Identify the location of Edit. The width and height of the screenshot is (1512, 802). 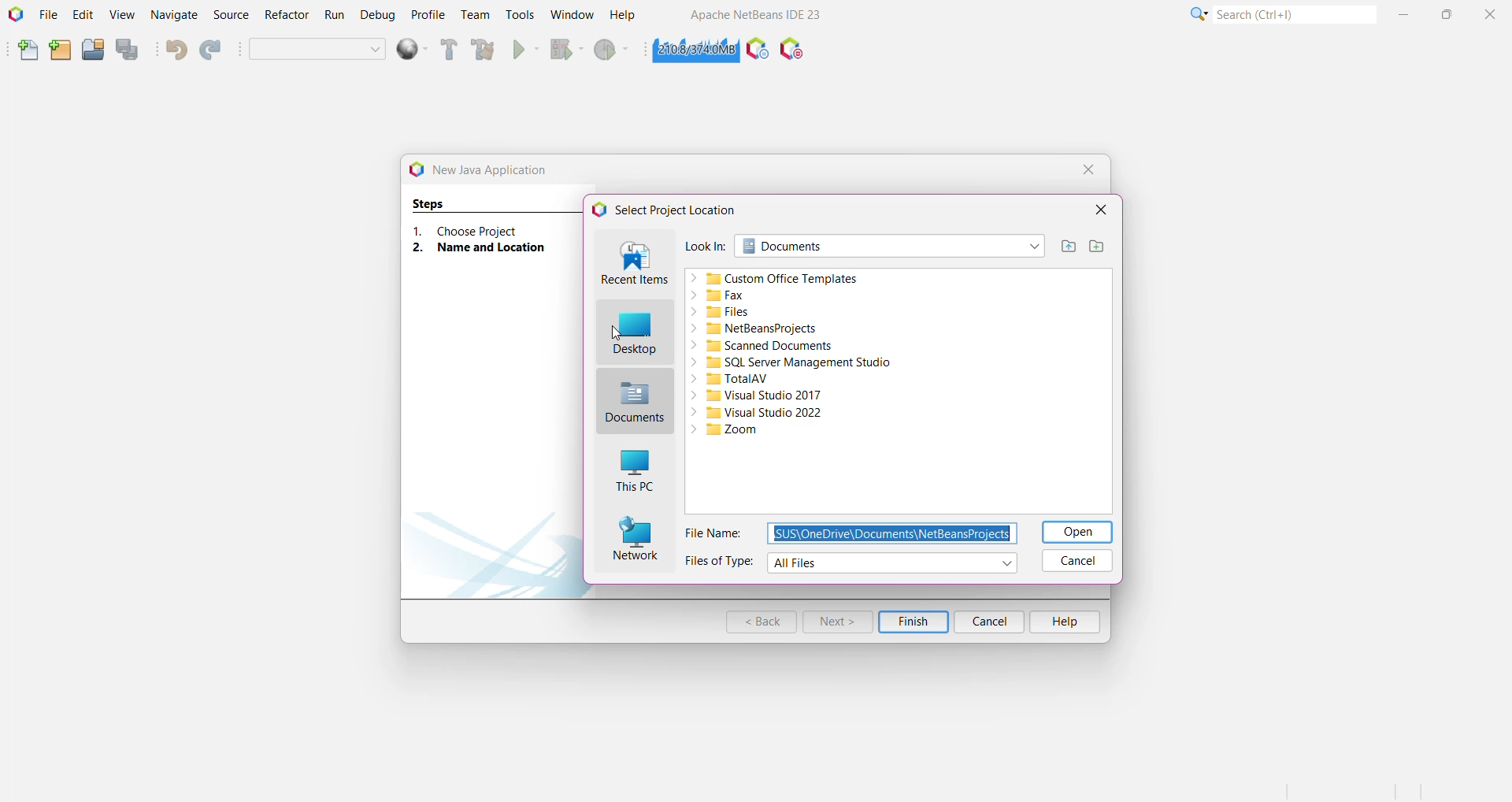
(82, 16).